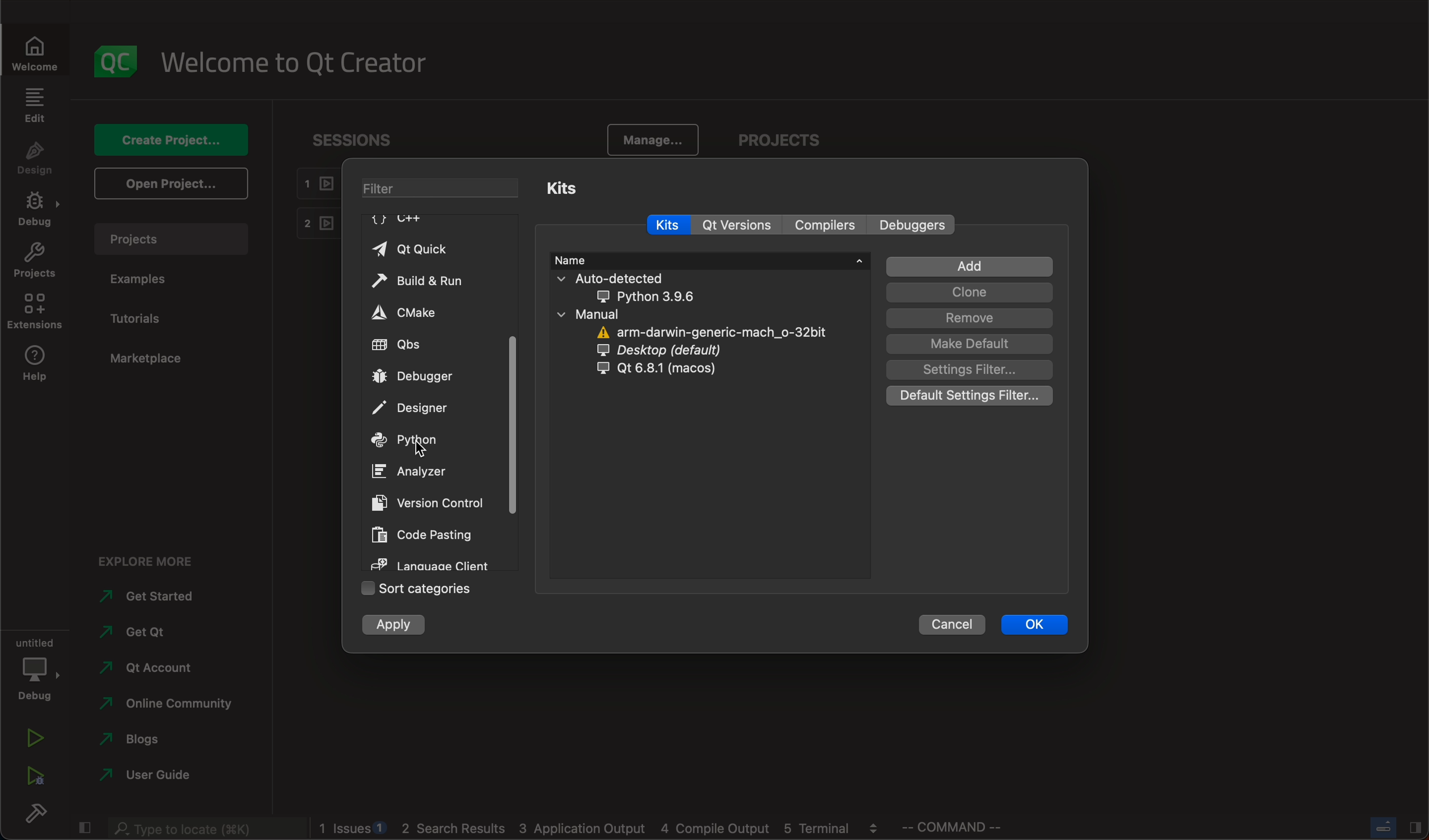 The image size is (1429, 840). Describe the element at coordinates (174, 184) in the screenshot. I see `open` at that location.